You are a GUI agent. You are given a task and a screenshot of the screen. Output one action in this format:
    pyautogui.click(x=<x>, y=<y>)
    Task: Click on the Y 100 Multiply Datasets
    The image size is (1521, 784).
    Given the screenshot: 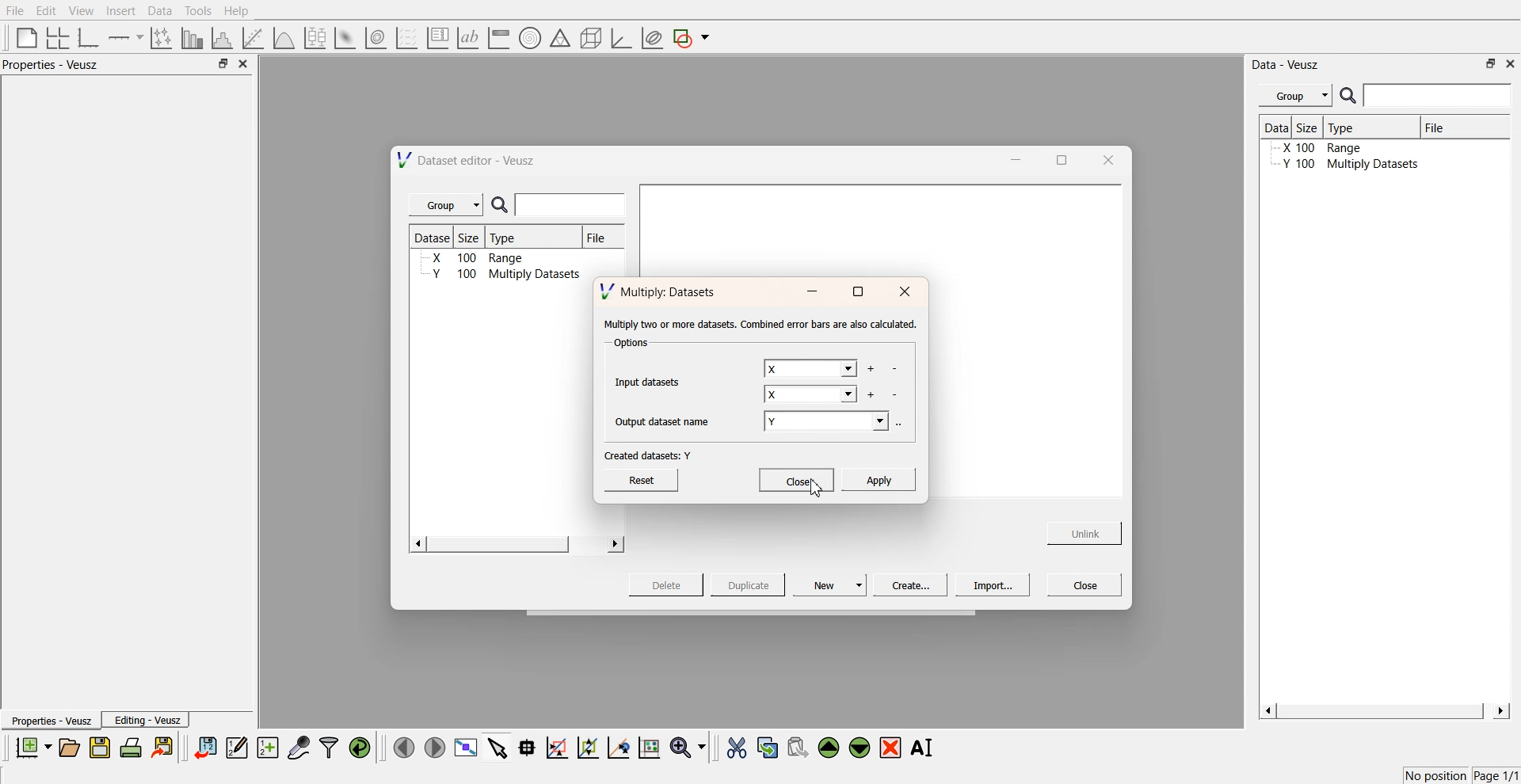 What is the action you would take?
    pyautogui.click(x=1343, y=166)
    